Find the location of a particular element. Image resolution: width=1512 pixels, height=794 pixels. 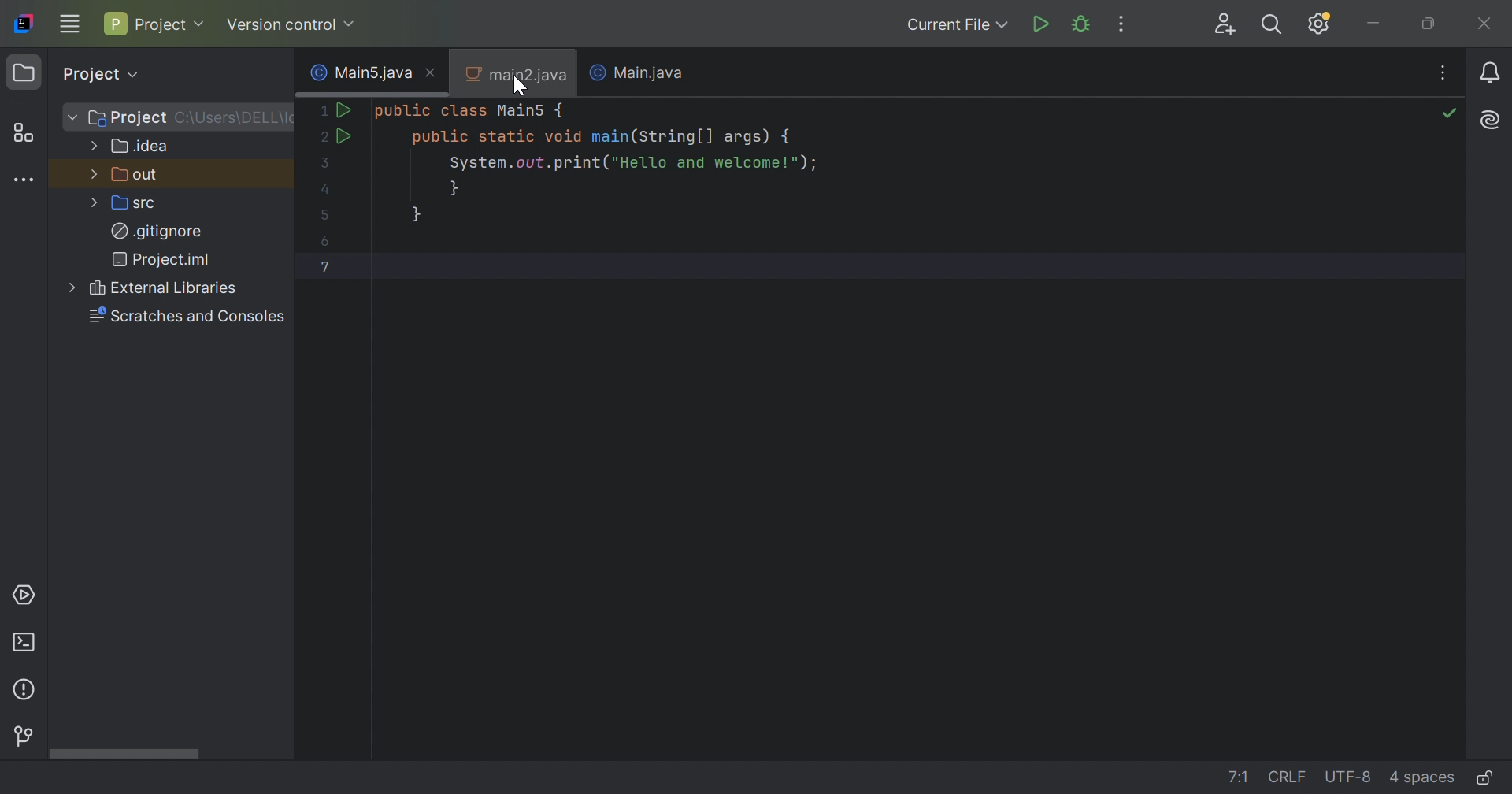

6 is located at coordinates (327, 242).